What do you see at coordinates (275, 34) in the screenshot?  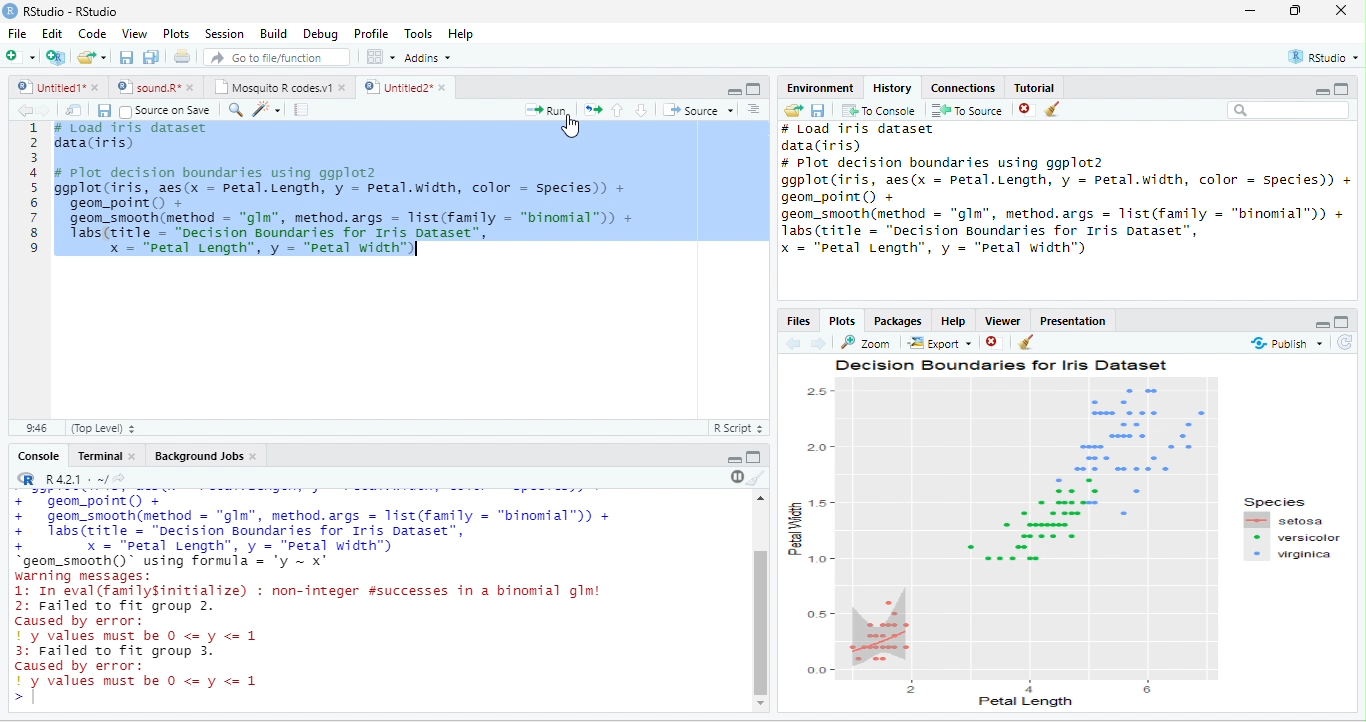 I see `Build` at bounding box center [275, 34].